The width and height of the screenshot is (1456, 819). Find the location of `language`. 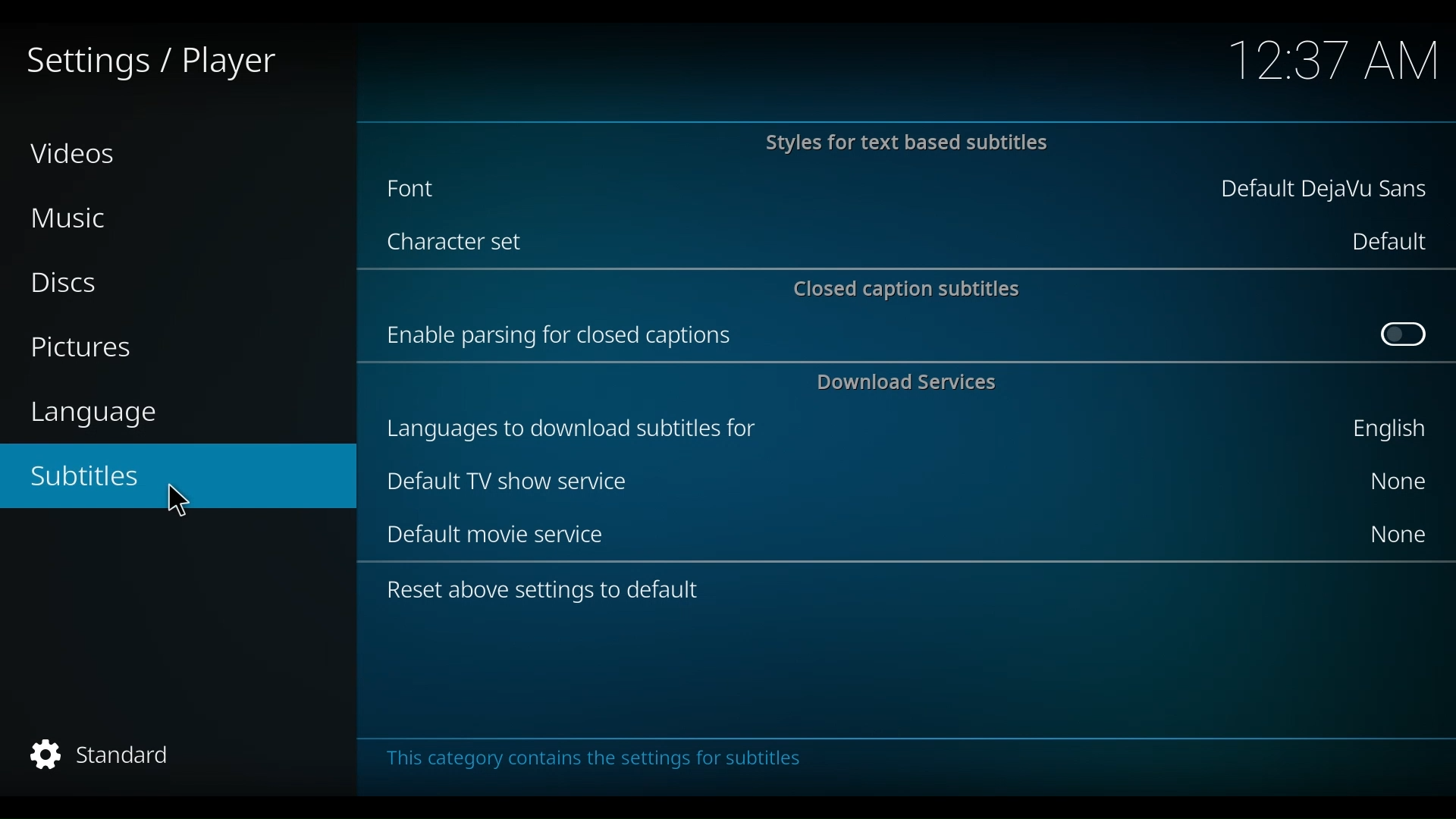

language is located at coordinates (102, 413).